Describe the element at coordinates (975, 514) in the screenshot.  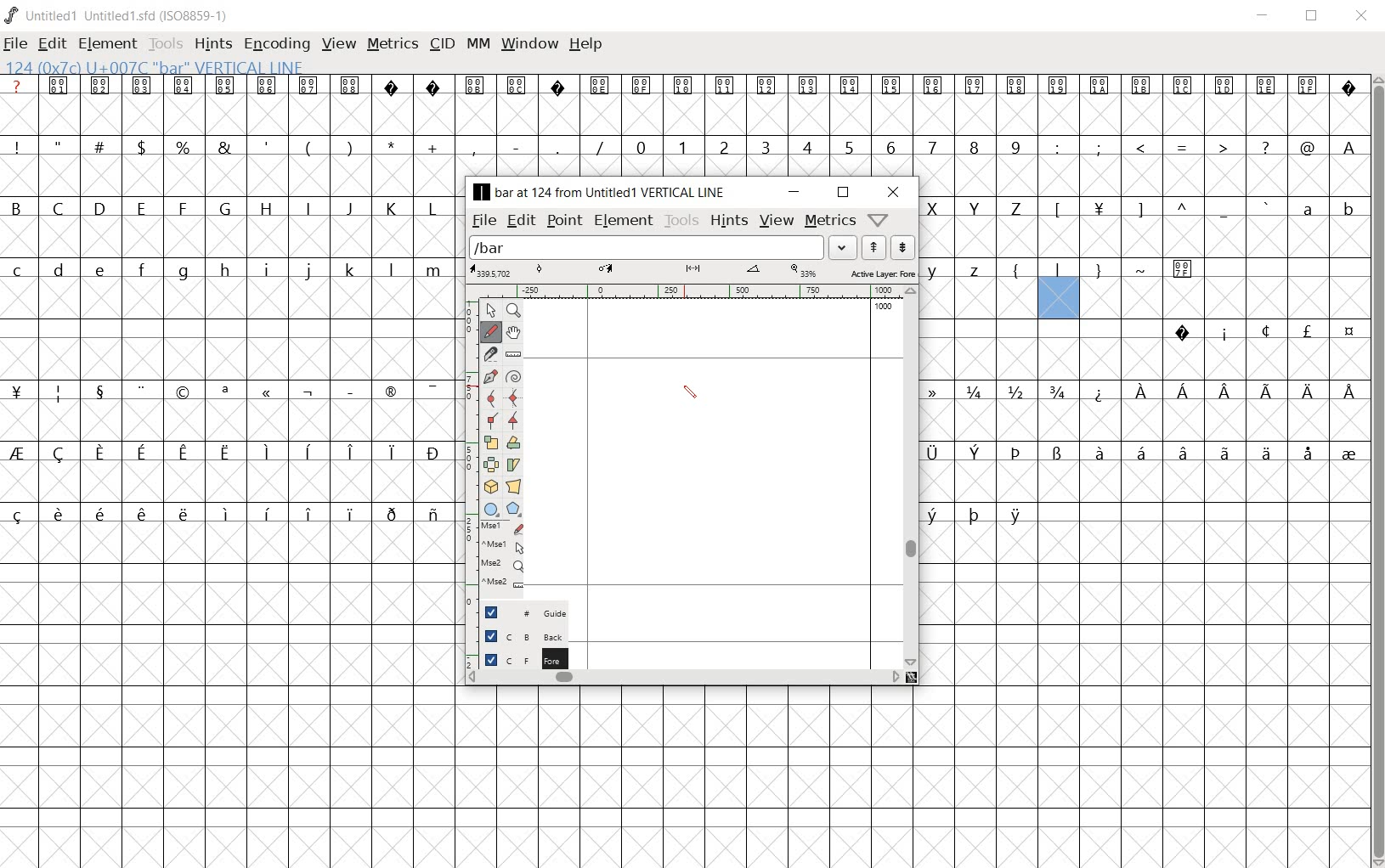
I see `special letters` at that location.